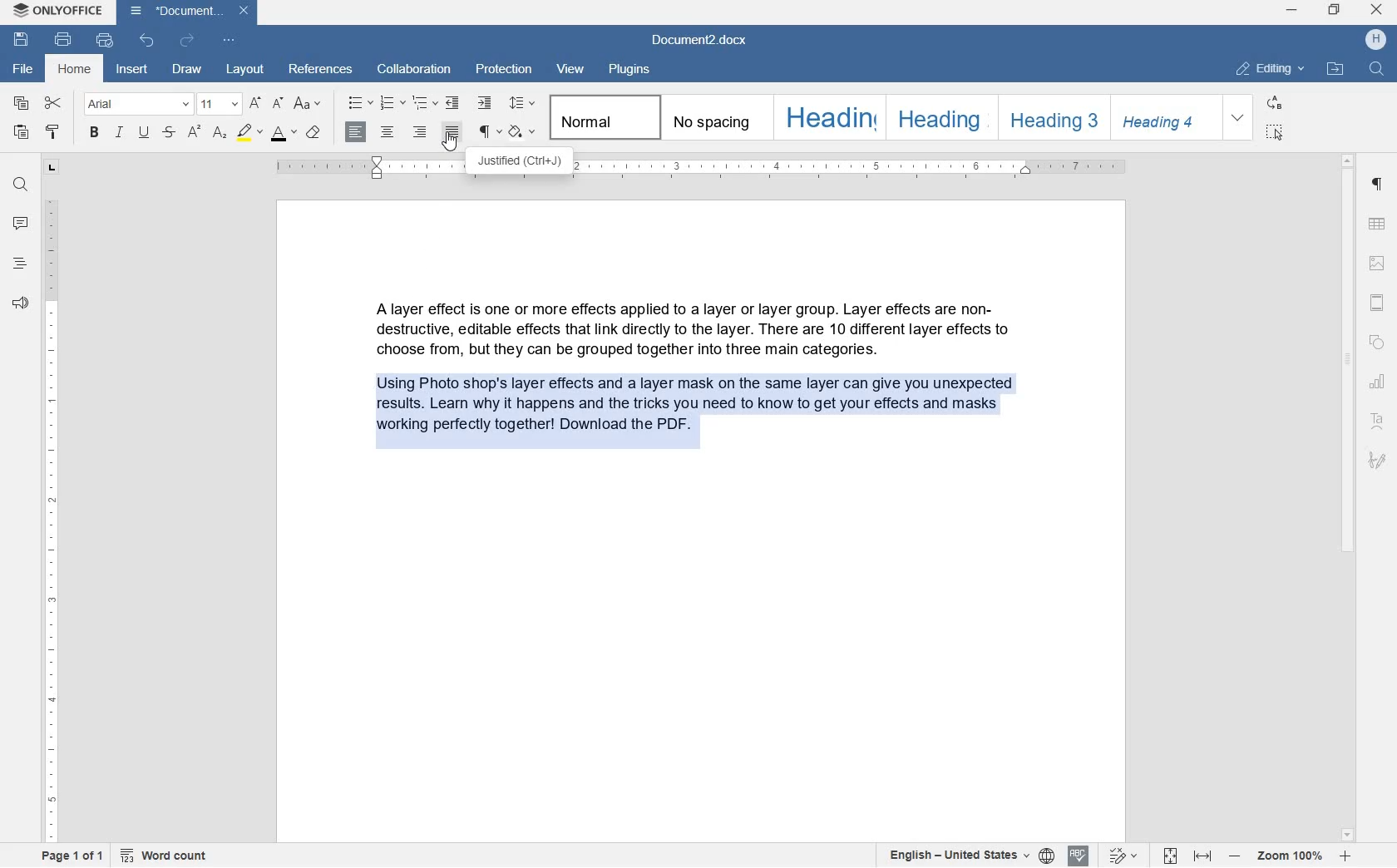 This screenshot has width=1397, height=868. I want to click on FIND, so click(21, 186).